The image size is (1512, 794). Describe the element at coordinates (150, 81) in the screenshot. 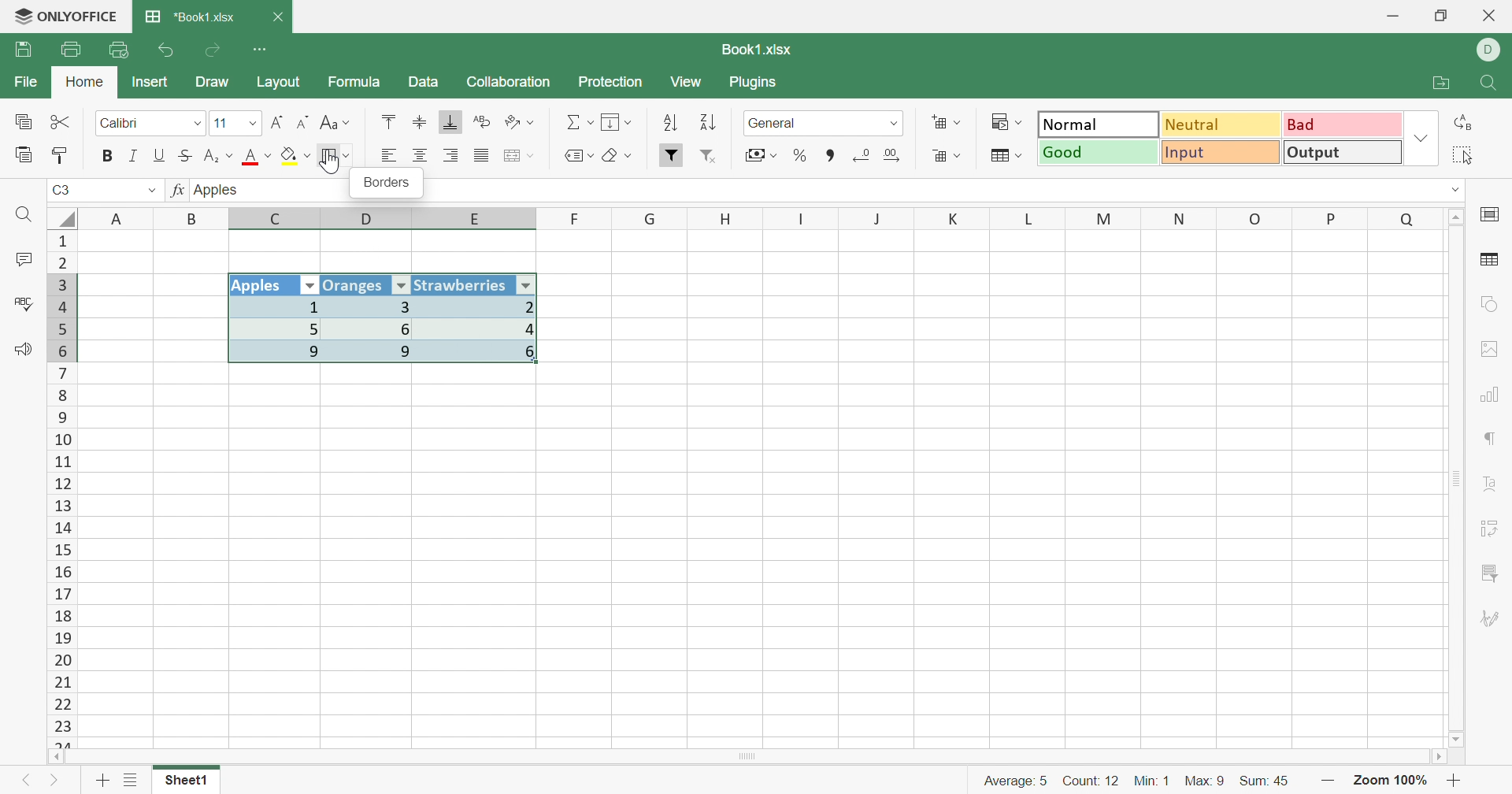

I see `Insert` at that location.